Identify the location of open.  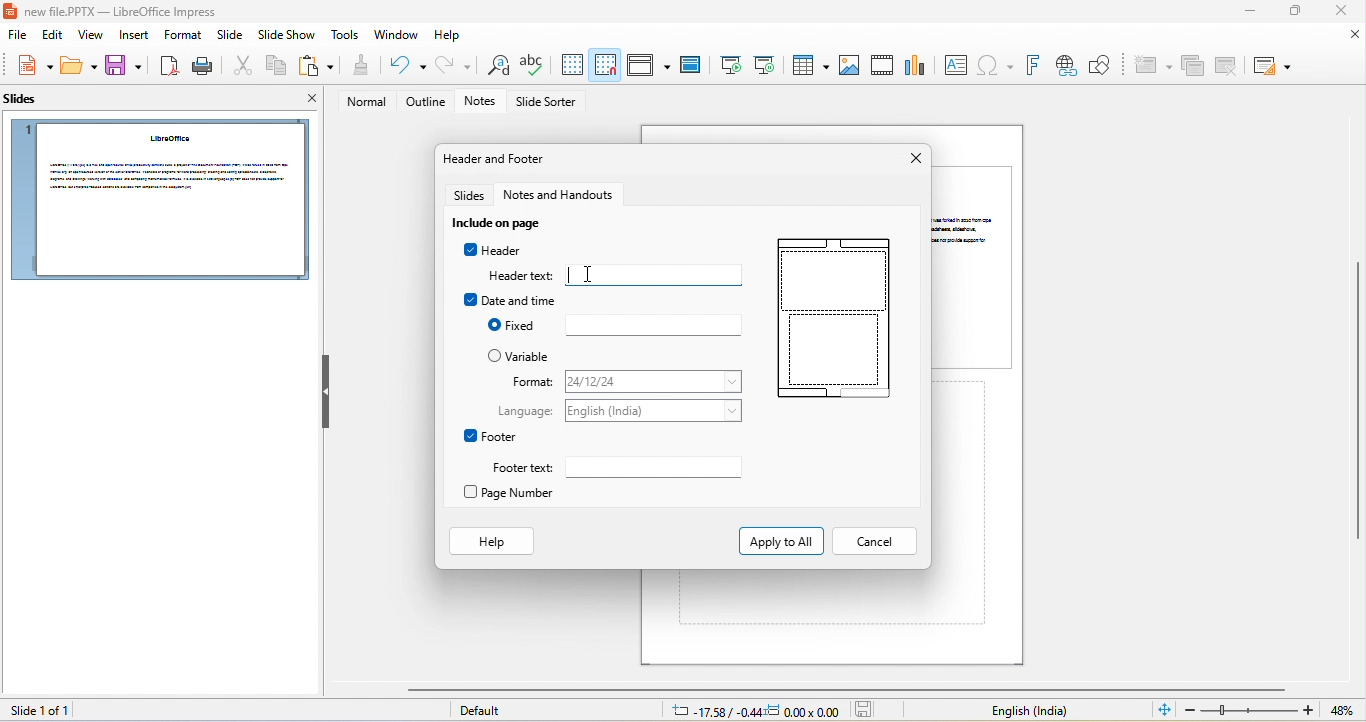
(80, 67).